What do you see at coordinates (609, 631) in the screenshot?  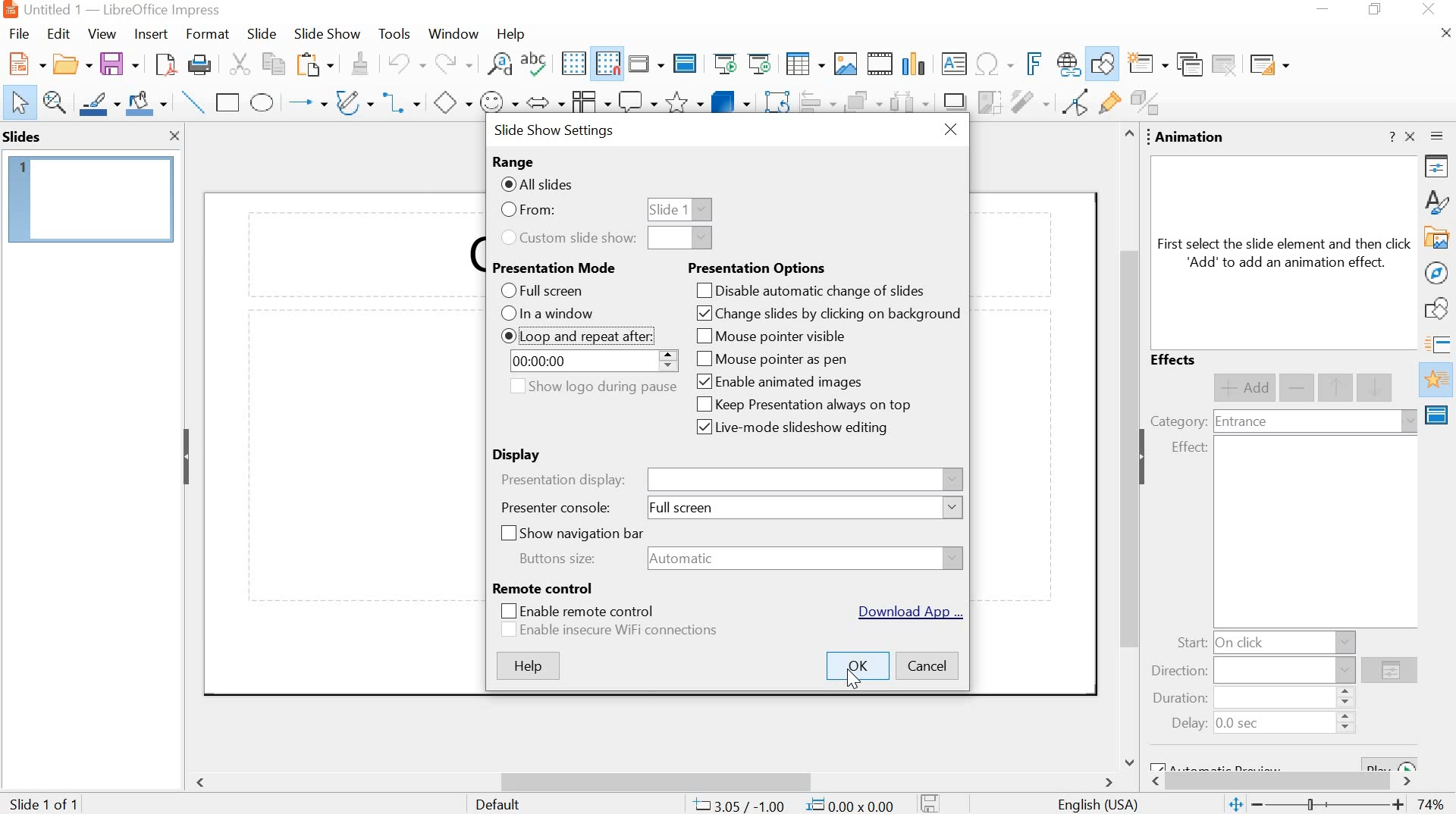 I see `enable insecure wifi connections` at bounding box center [609, 631].